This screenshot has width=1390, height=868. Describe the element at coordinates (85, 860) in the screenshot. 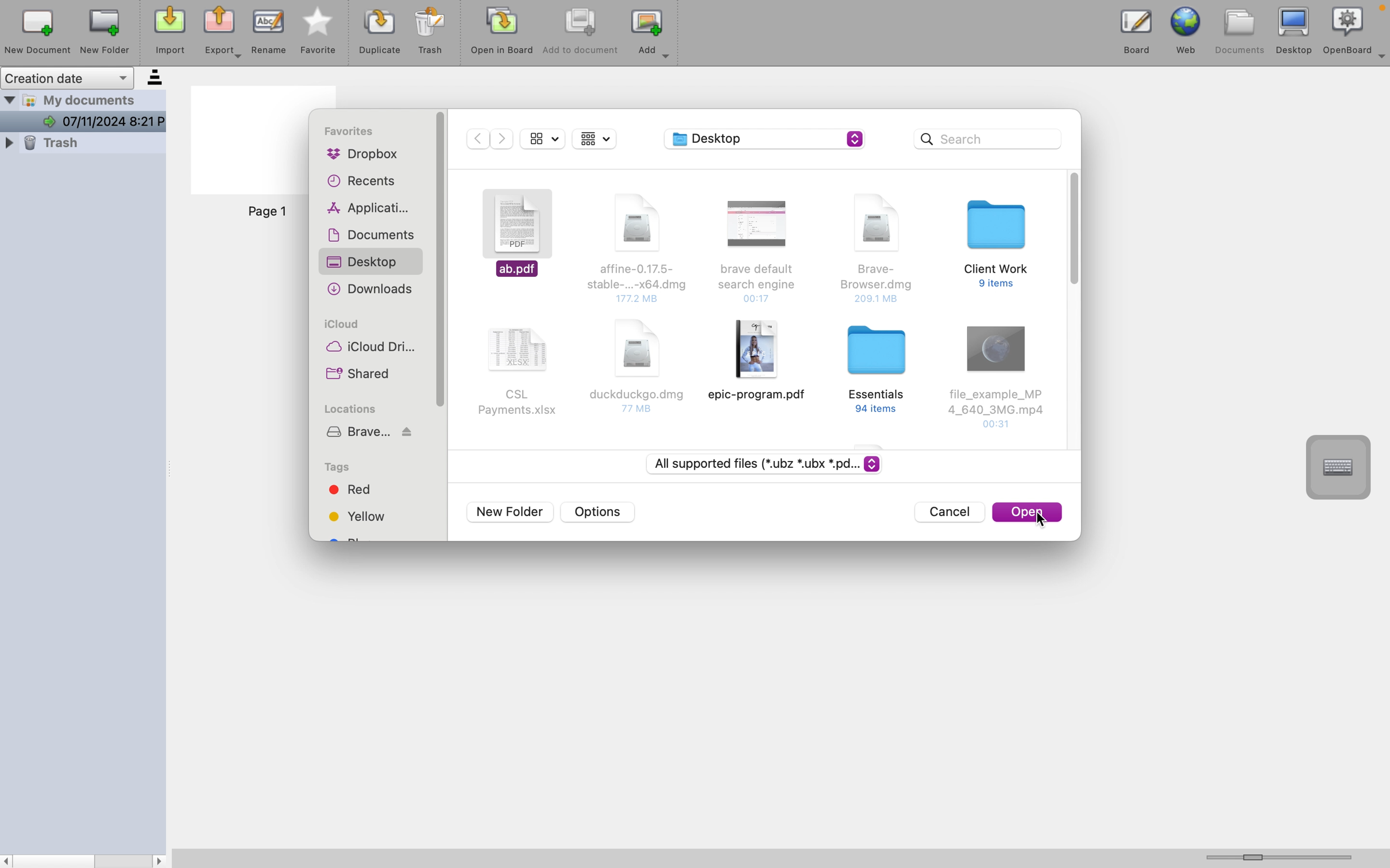

I see `scrollbar` at that location.